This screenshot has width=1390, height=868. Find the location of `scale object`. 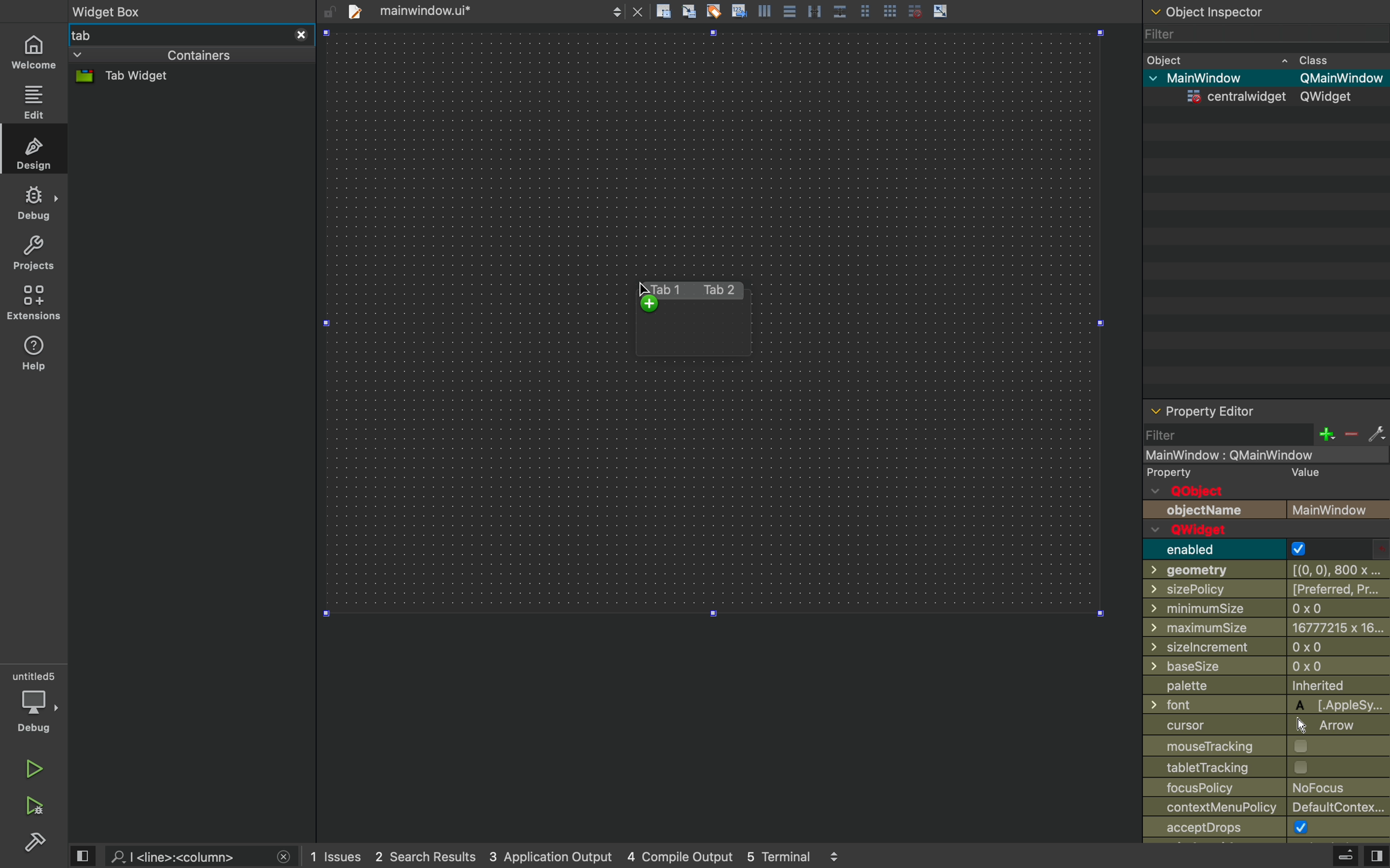

scale object is located at coordinates (940, 10).